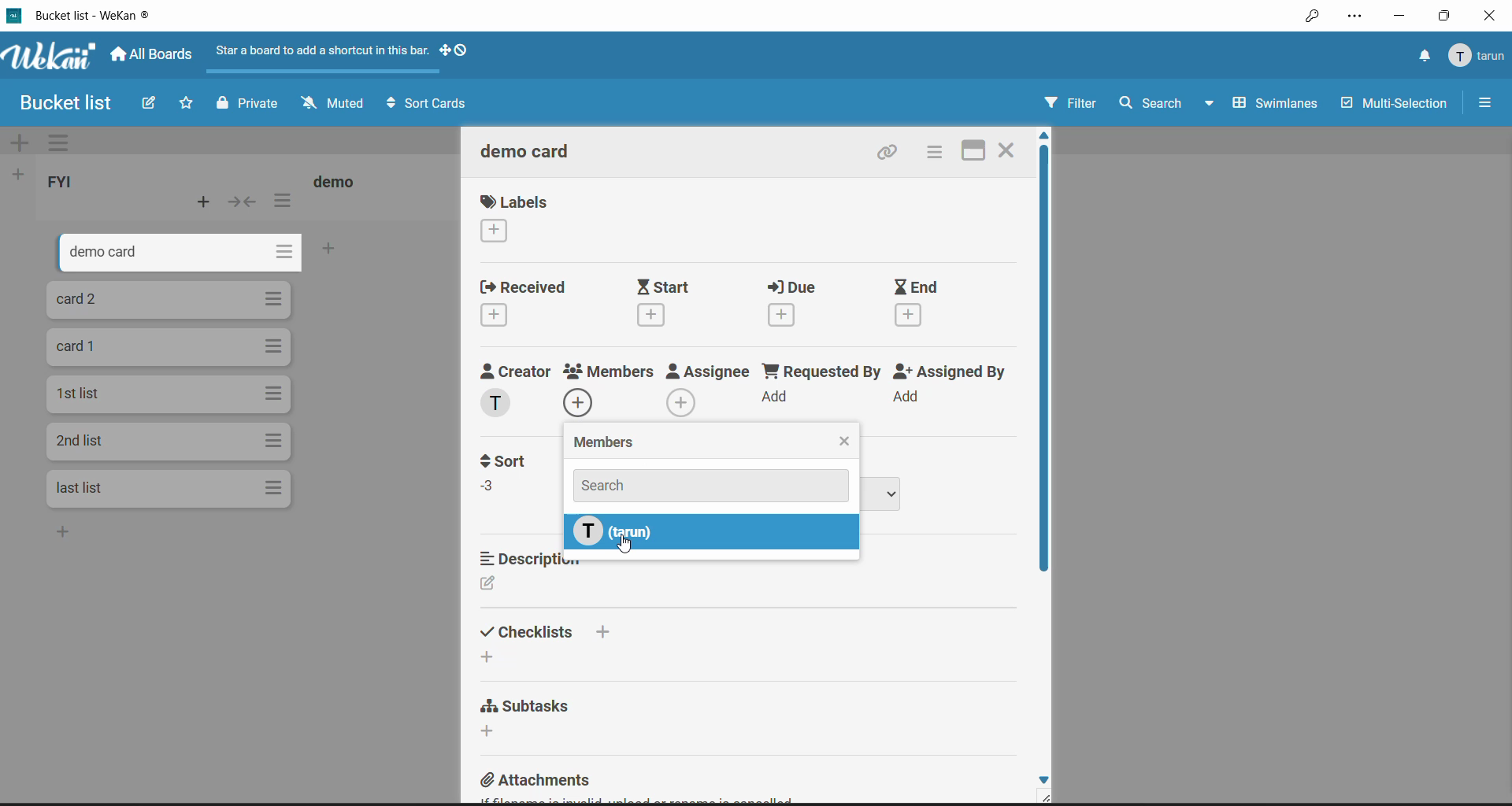  Describe the element at coordinates (275, 441) in the screenshot. I see `card actions` at that location.